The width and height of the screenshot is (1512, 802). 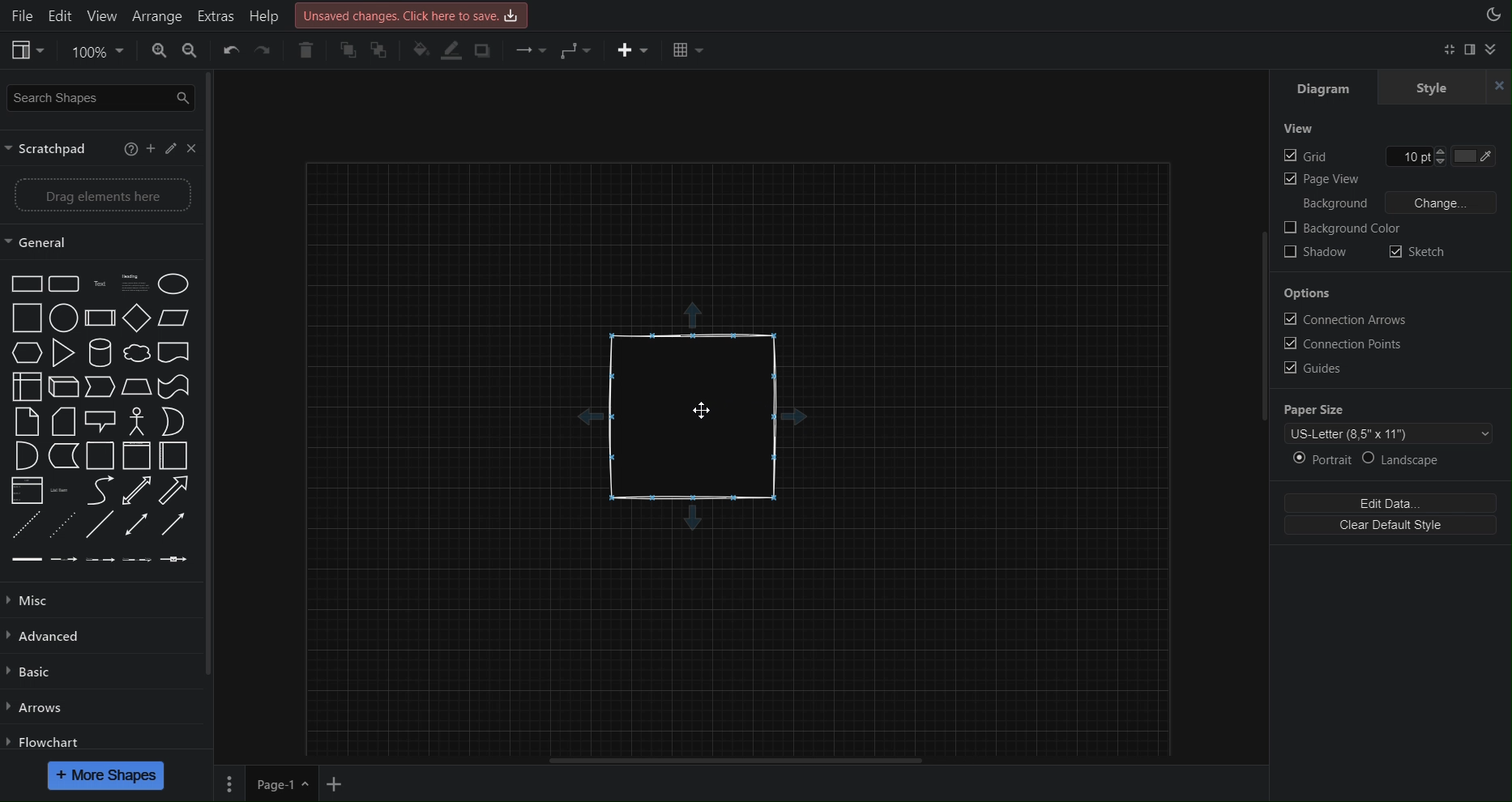 What do you see at coordinates (104, 149) in the screenshot?
I see `Scratchpad` at bounding box center [104, 149].